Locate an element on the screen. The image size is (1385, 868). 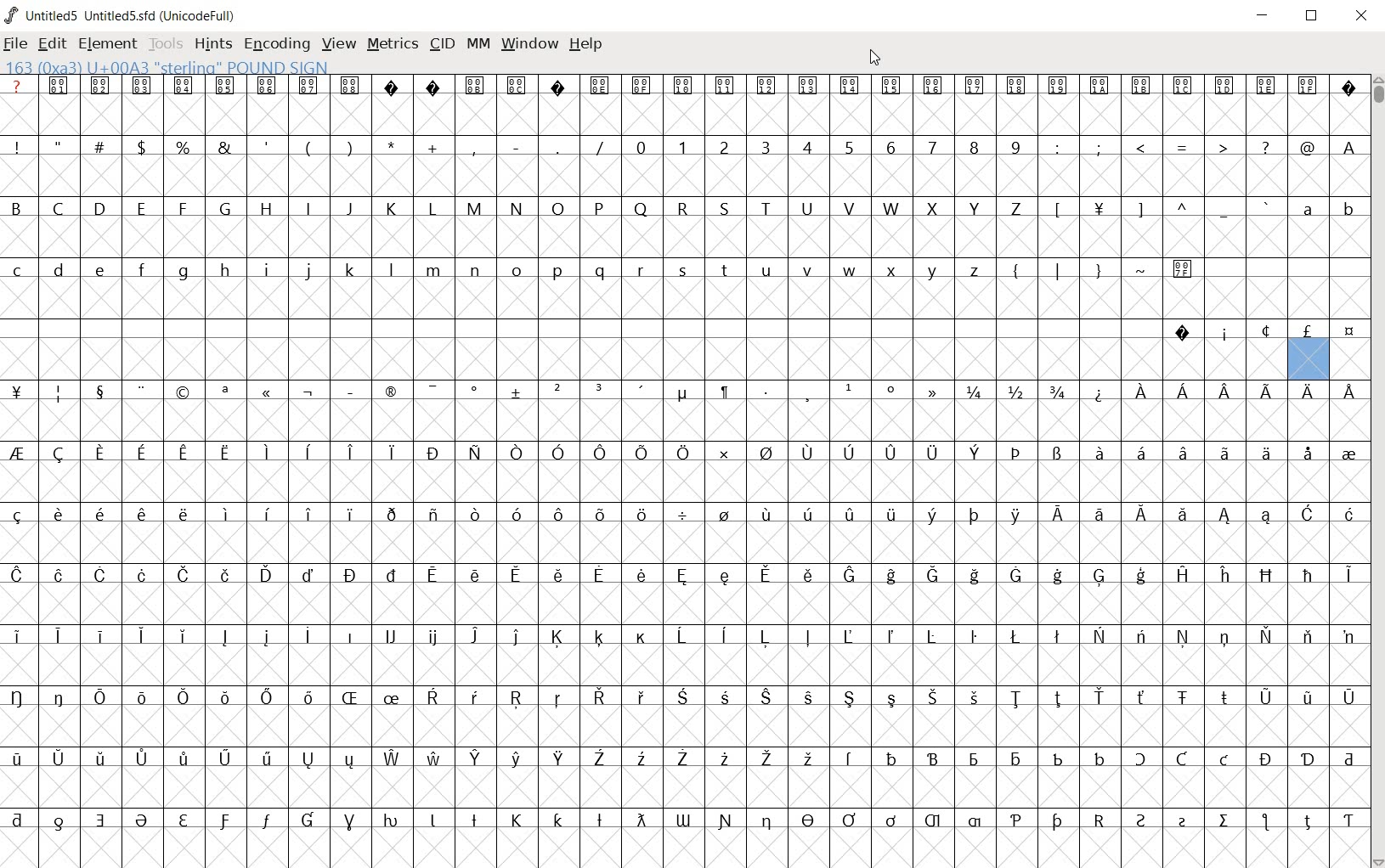
A is located at coordinates (1347, 146).